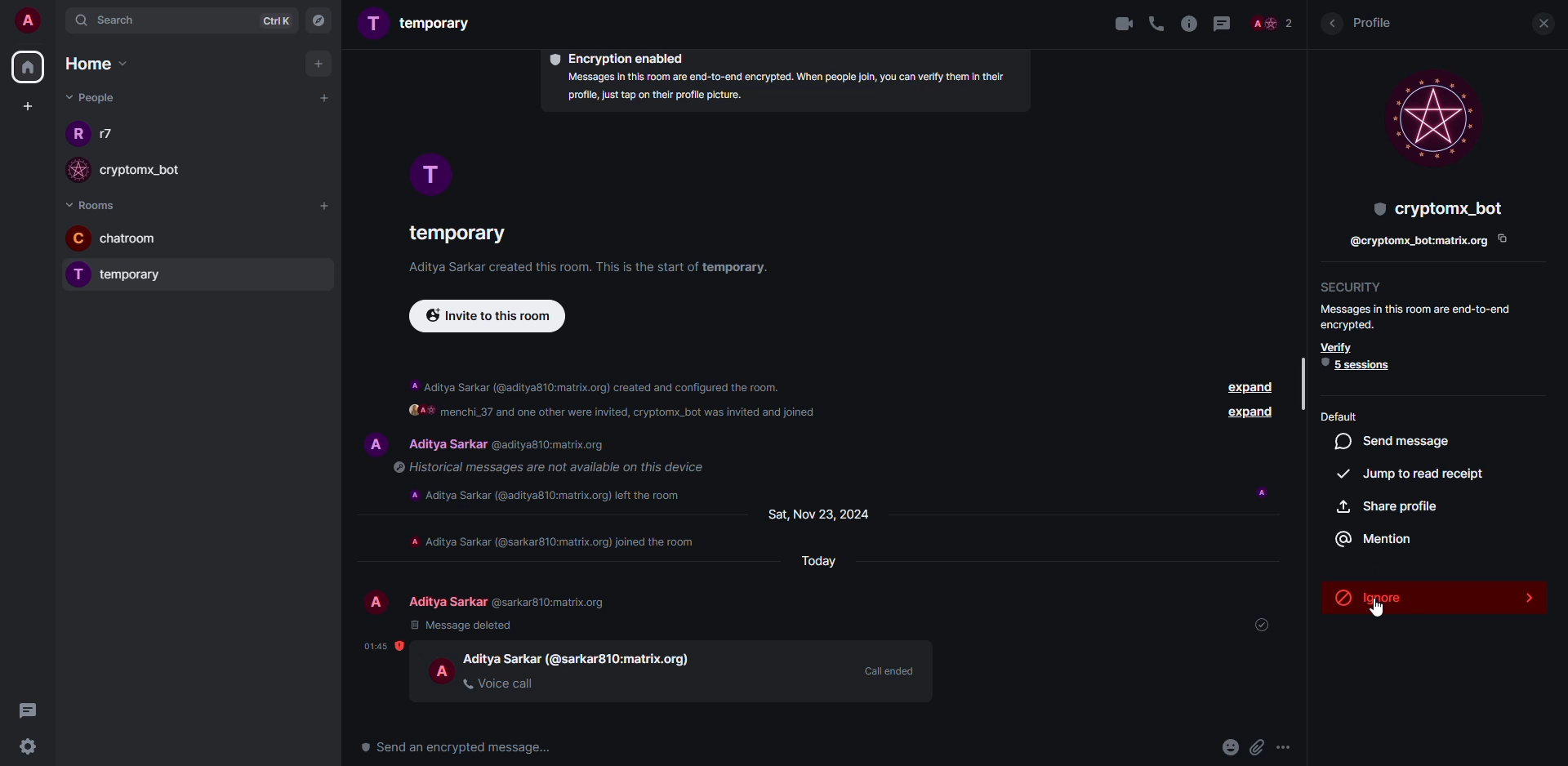  I want to click on add, so click(318, 65).